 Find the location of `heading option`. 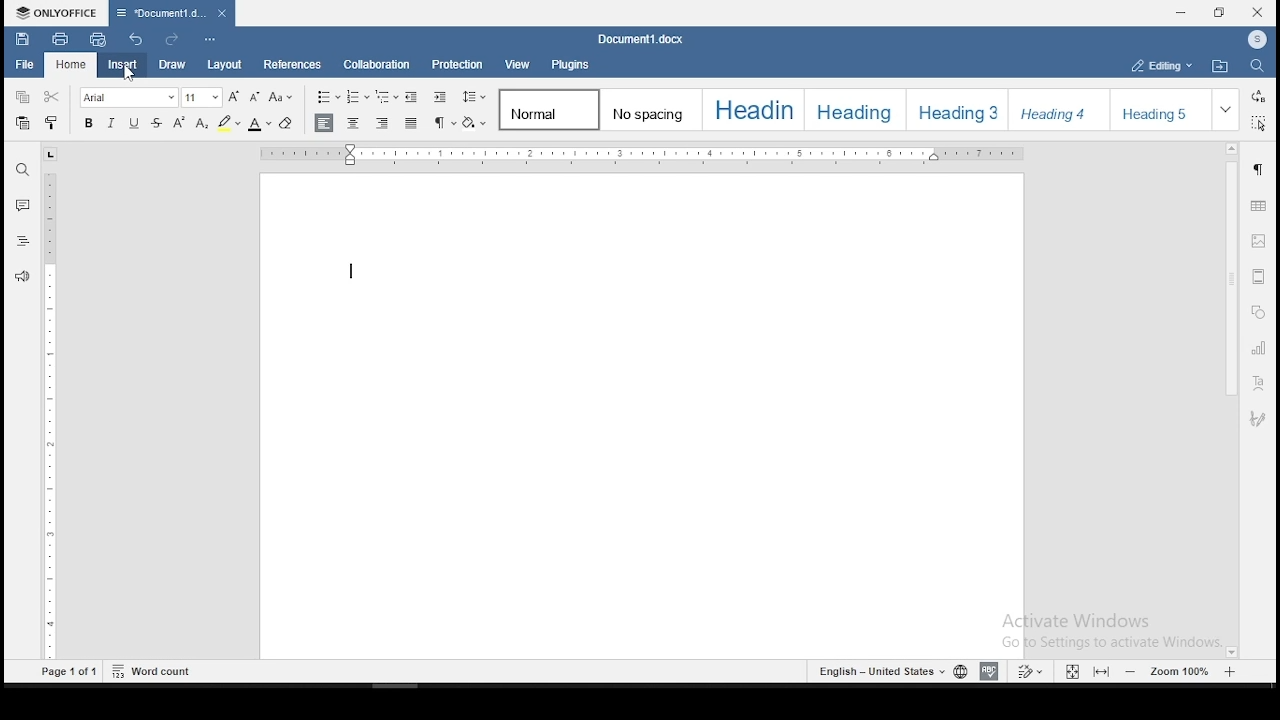

heading option is located at coordinates (1061, 110).